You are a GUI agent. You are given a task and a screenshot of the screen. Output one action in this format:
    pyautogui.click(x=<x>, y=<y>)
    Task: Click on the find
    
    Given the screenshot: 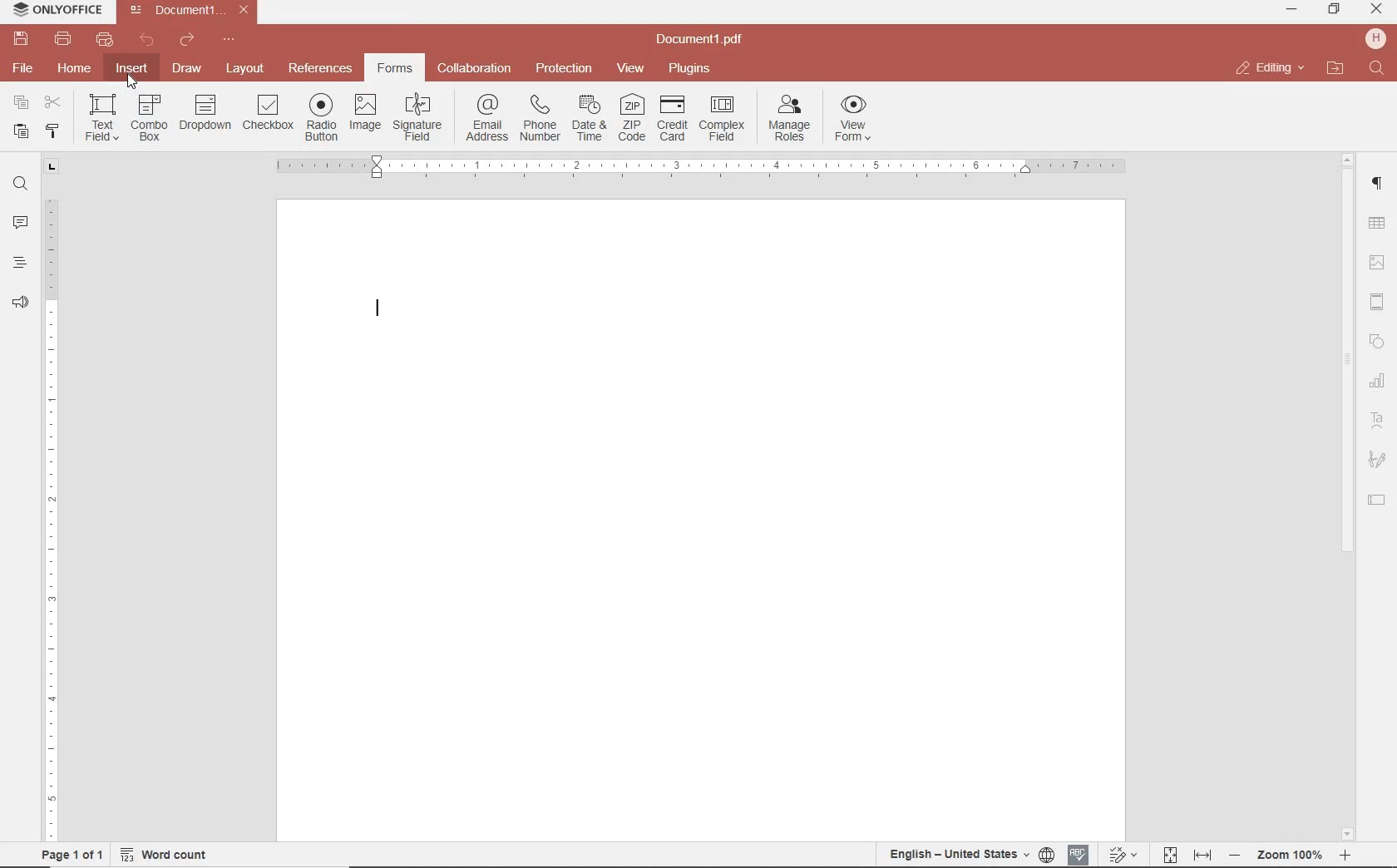 What is the action you would take?
    pyautogui.click(x=1379, y=69)
    